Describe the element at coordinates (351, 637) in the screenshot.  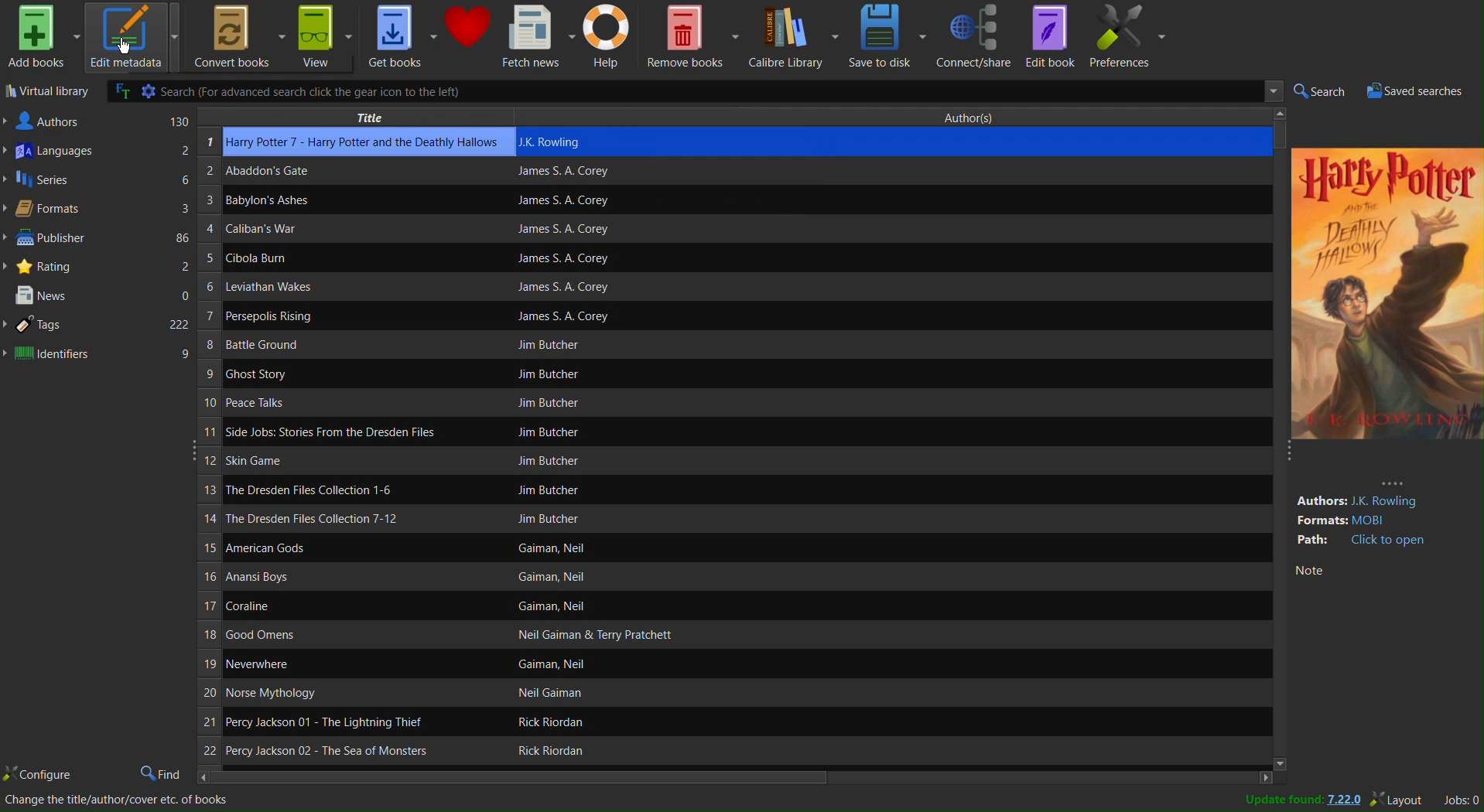
I see `Book name` at that location.